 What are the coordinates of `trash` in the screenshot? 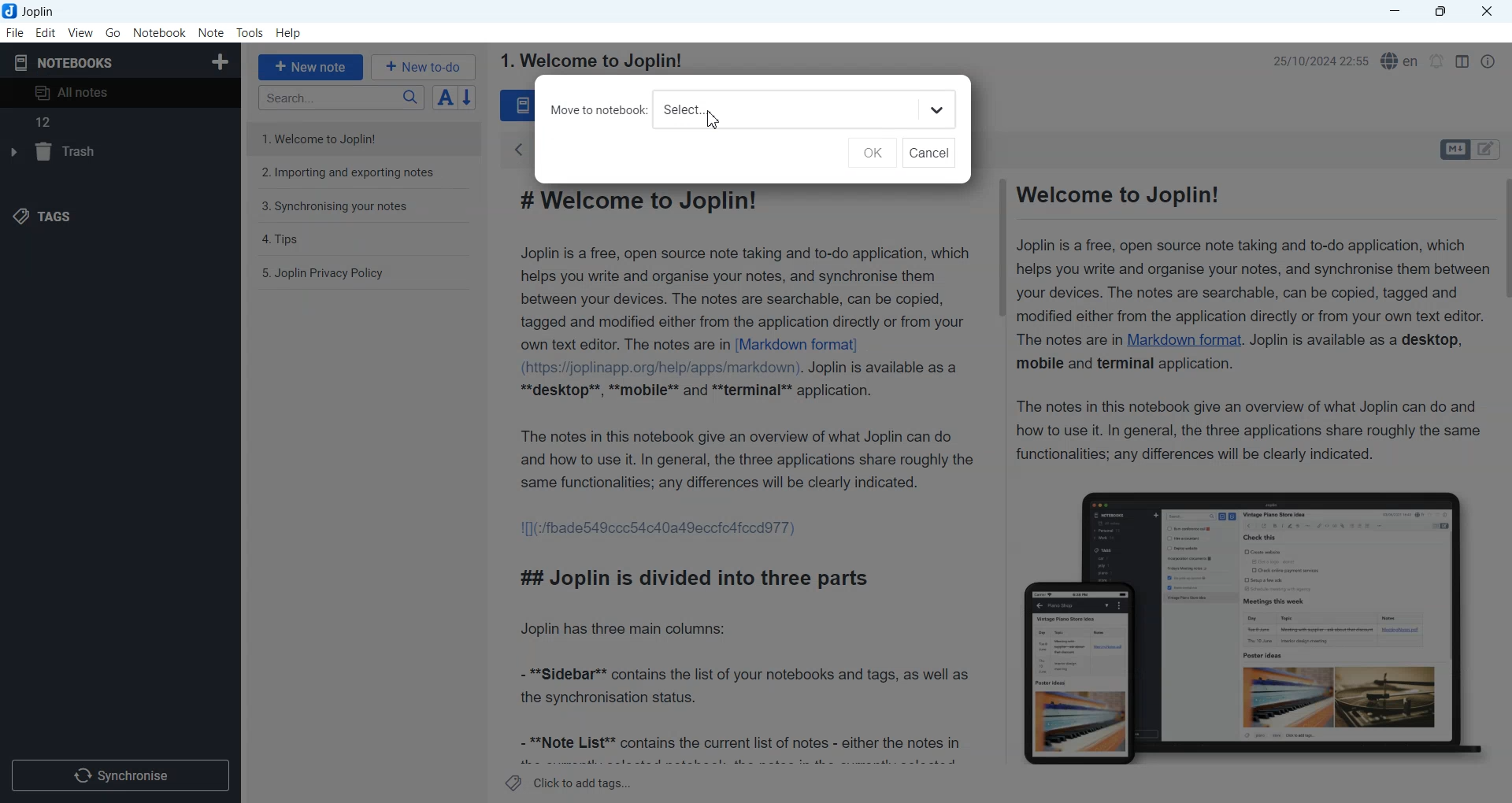 It's located at (57, 154).